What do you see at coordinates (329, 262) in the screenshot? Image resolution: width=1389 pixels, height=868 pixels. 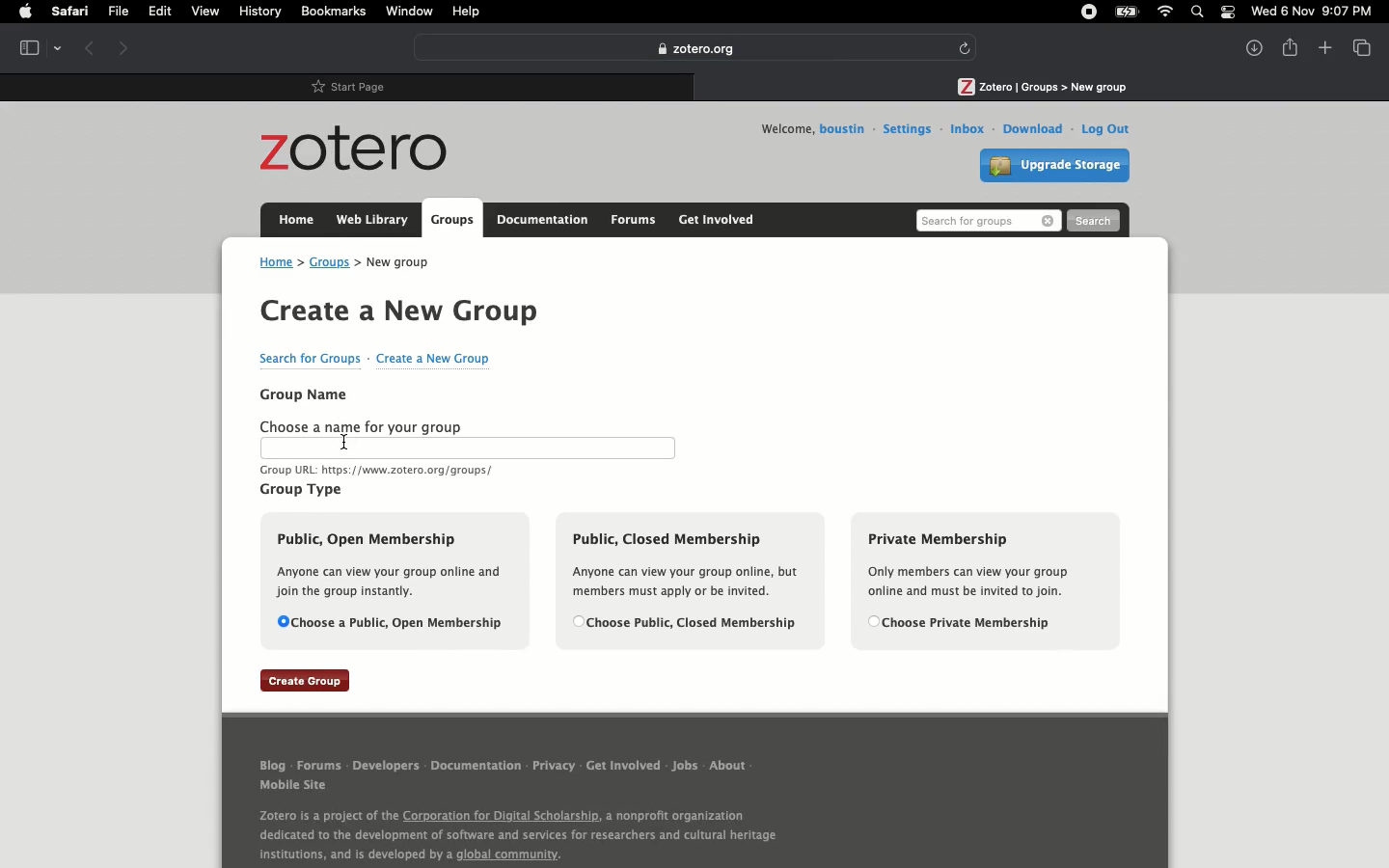 I see `Groups` at bounding box center [329, 262].